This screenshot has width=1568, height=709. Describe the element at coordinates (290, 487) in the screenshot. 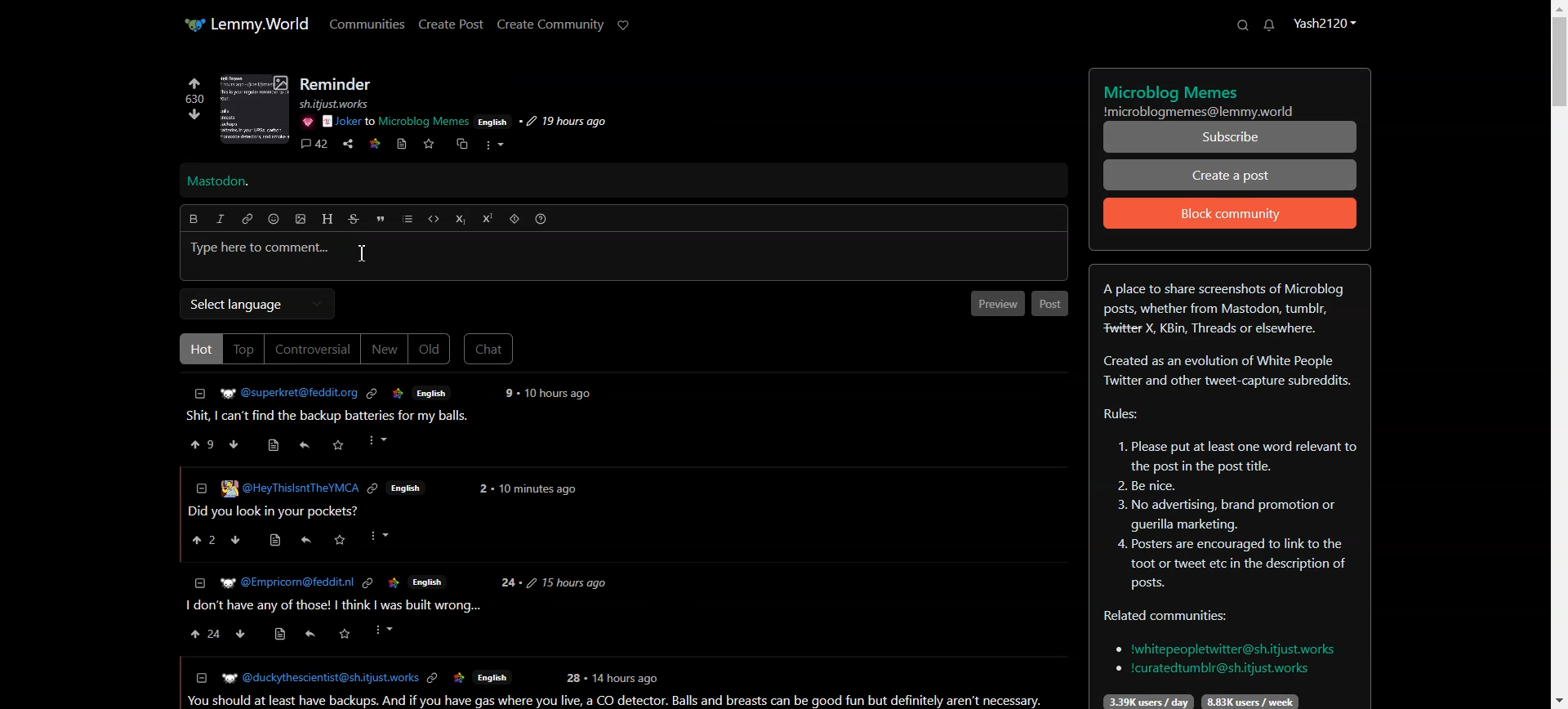

I see `RB @HeyThislsntTheYMCA @` at that location.